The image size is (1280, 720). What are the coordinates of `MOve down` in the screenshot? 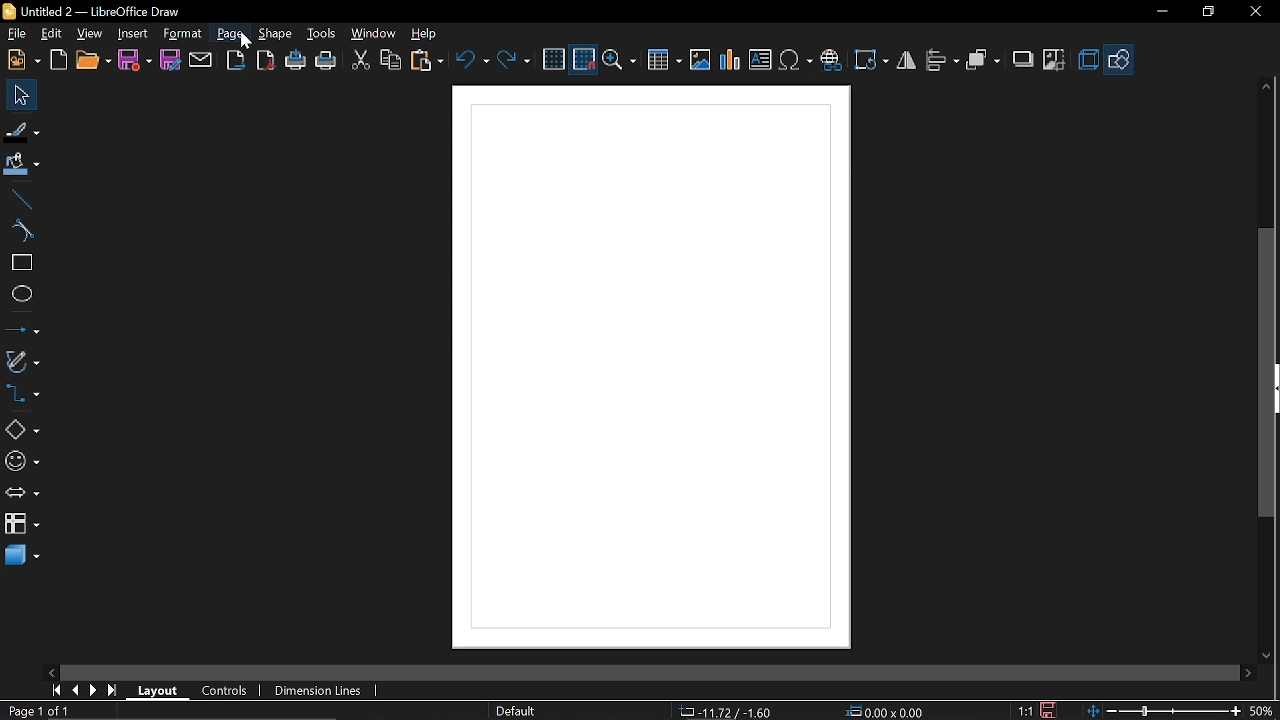 It's located at (1264, 654).